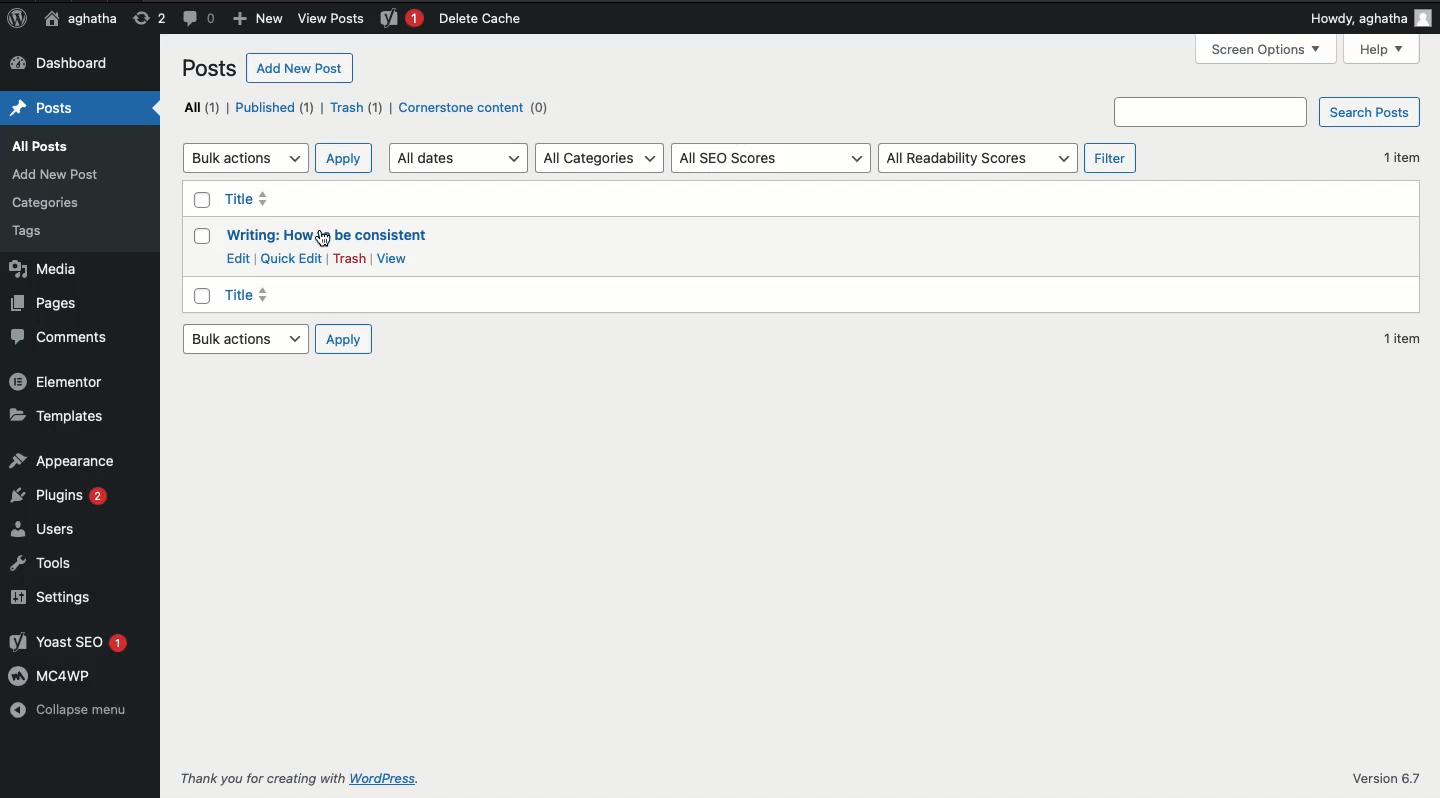 The width and height of the screenshot is (1440, 798). What do you see at coordinates (395, 778) in the screenshot?
I see `WordPress.` at bounding box center [395, 778].